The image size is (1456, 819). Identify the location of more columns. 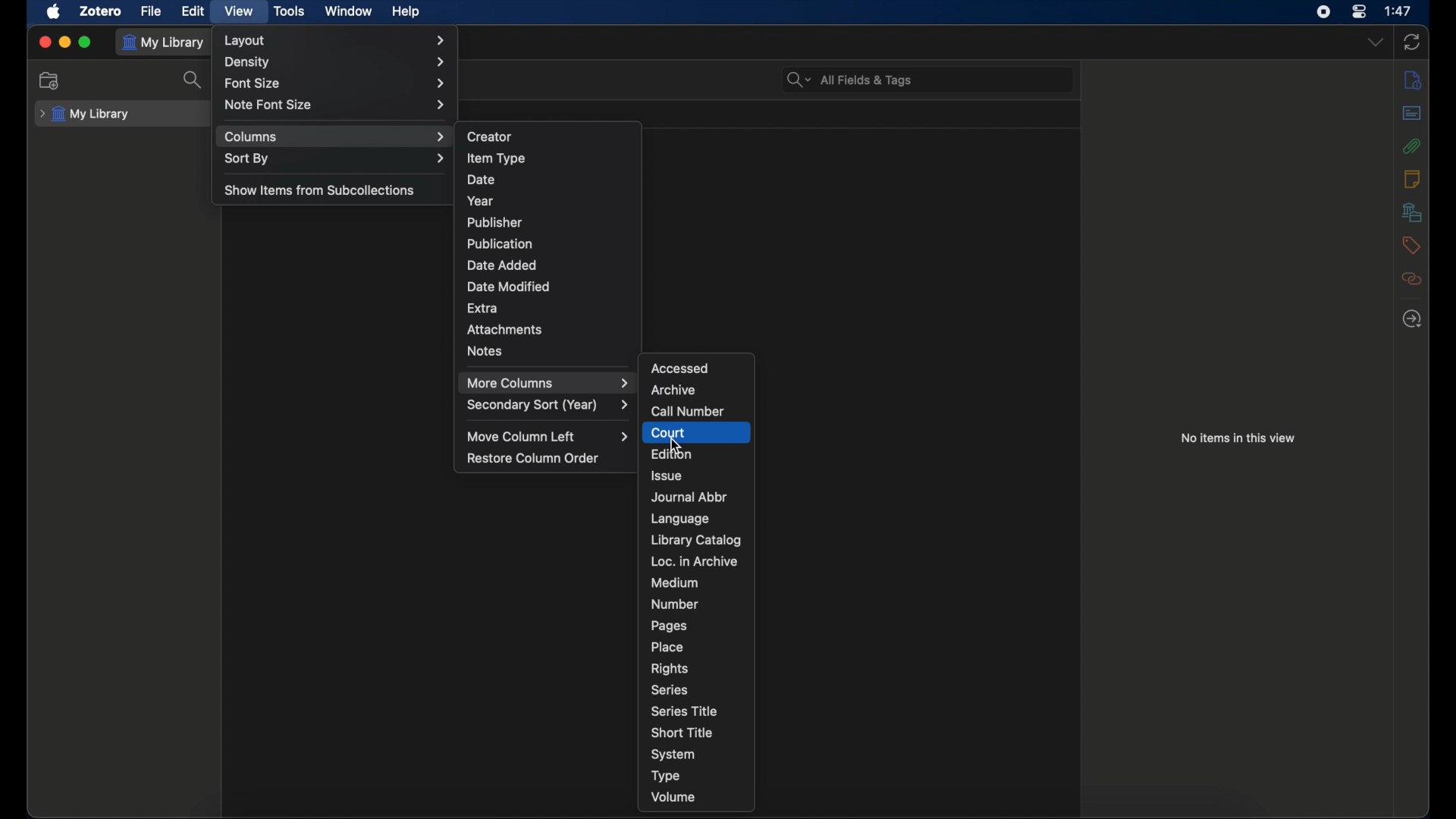
(548, 383).